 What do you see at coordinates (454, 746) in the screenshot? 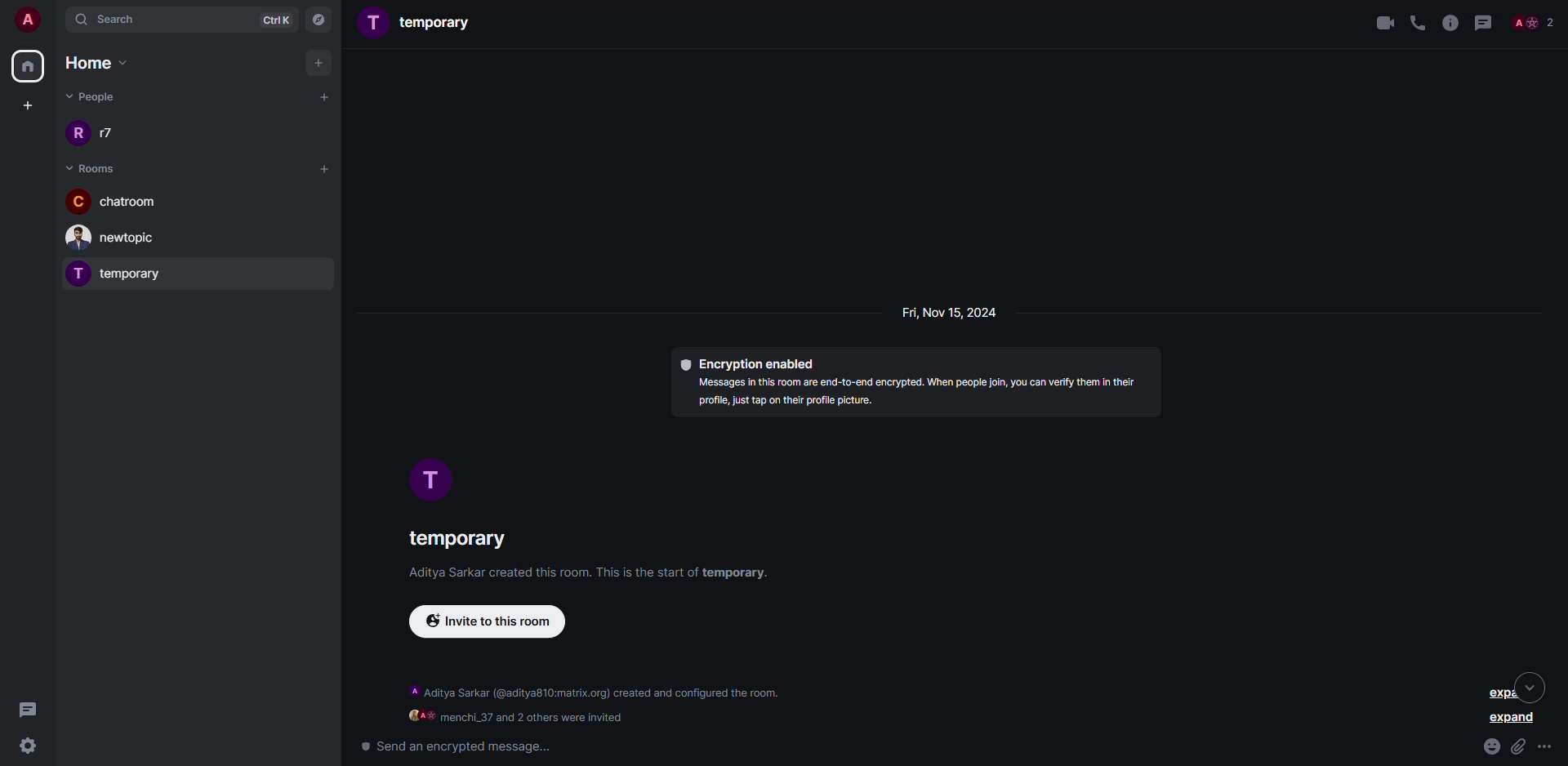
I see `send an encrypted message` at bounding box center [454, 746].